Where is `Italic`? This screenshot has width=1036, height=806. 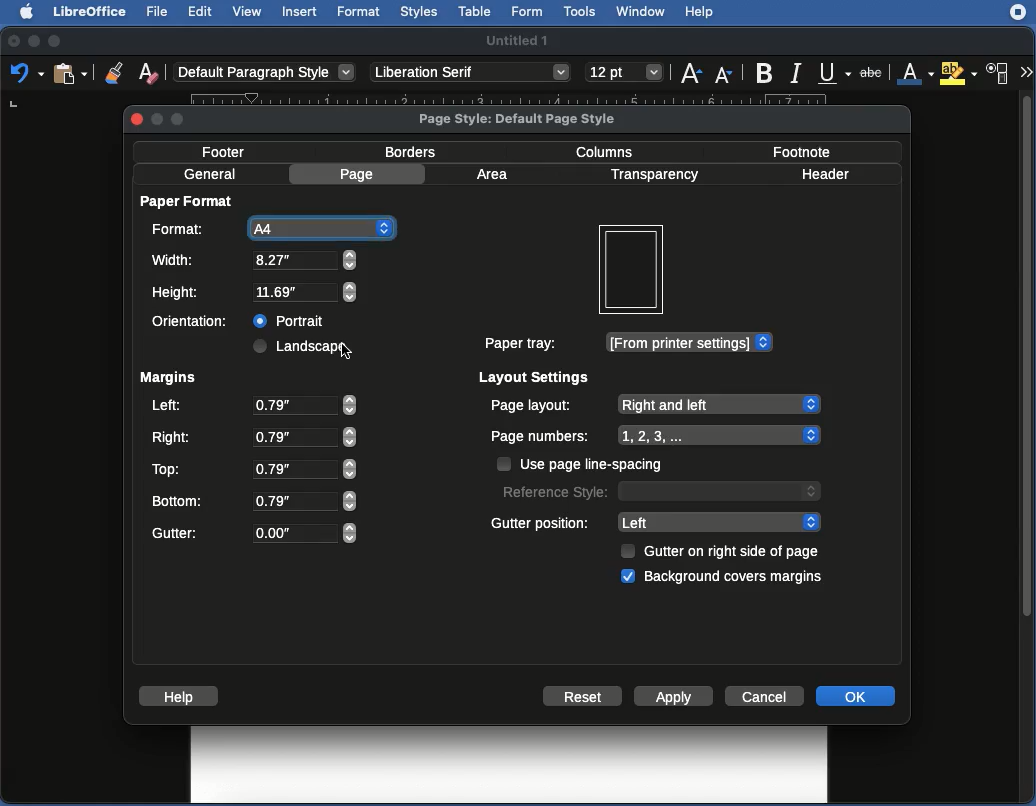 Italic is located at coordinates (795, 74).